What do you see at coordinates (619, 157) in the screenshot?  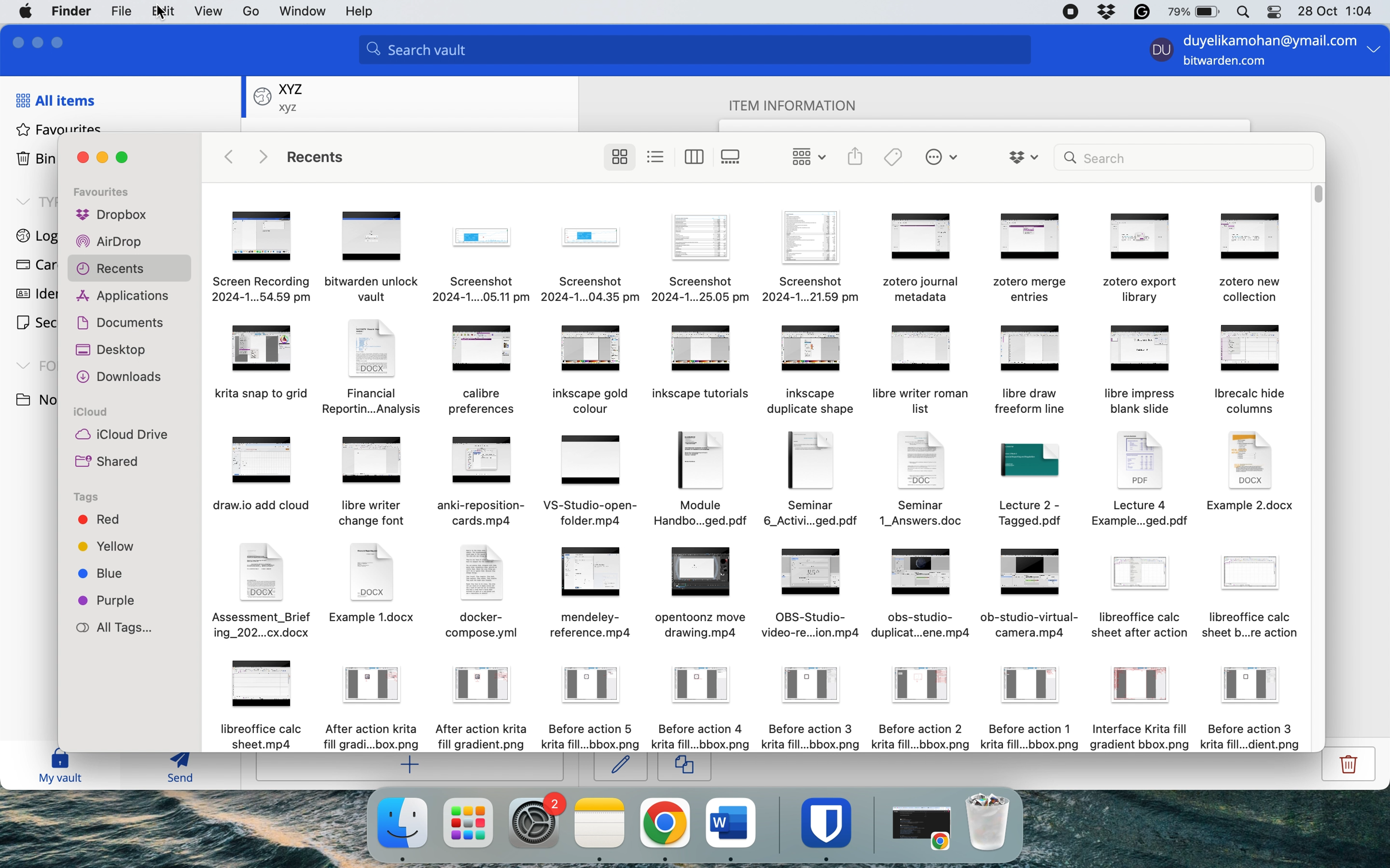 I see `show items as icons` at bounding box center [619, 157].